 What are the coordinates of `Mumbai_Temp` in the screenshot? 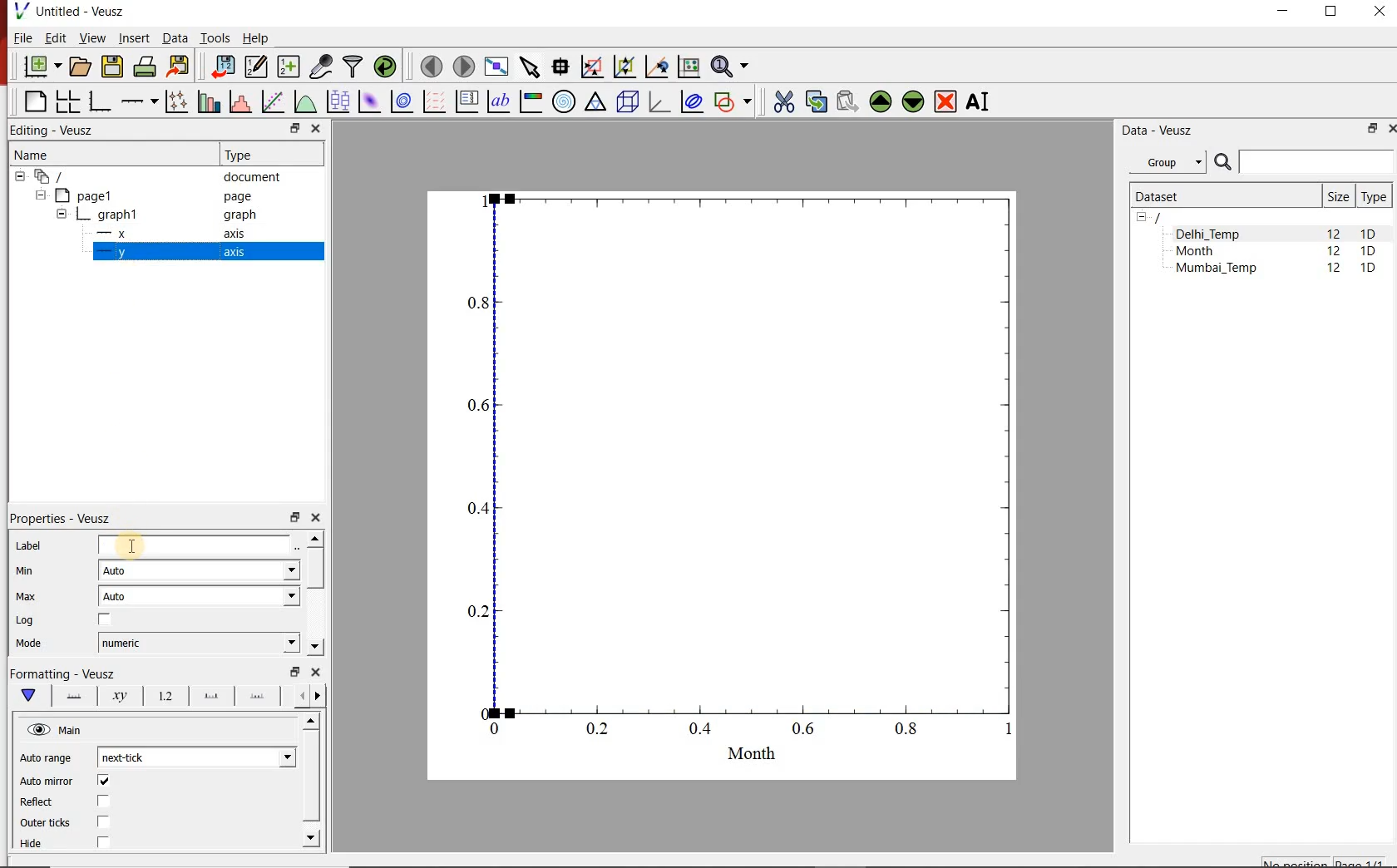 It's located at (1216, 269).